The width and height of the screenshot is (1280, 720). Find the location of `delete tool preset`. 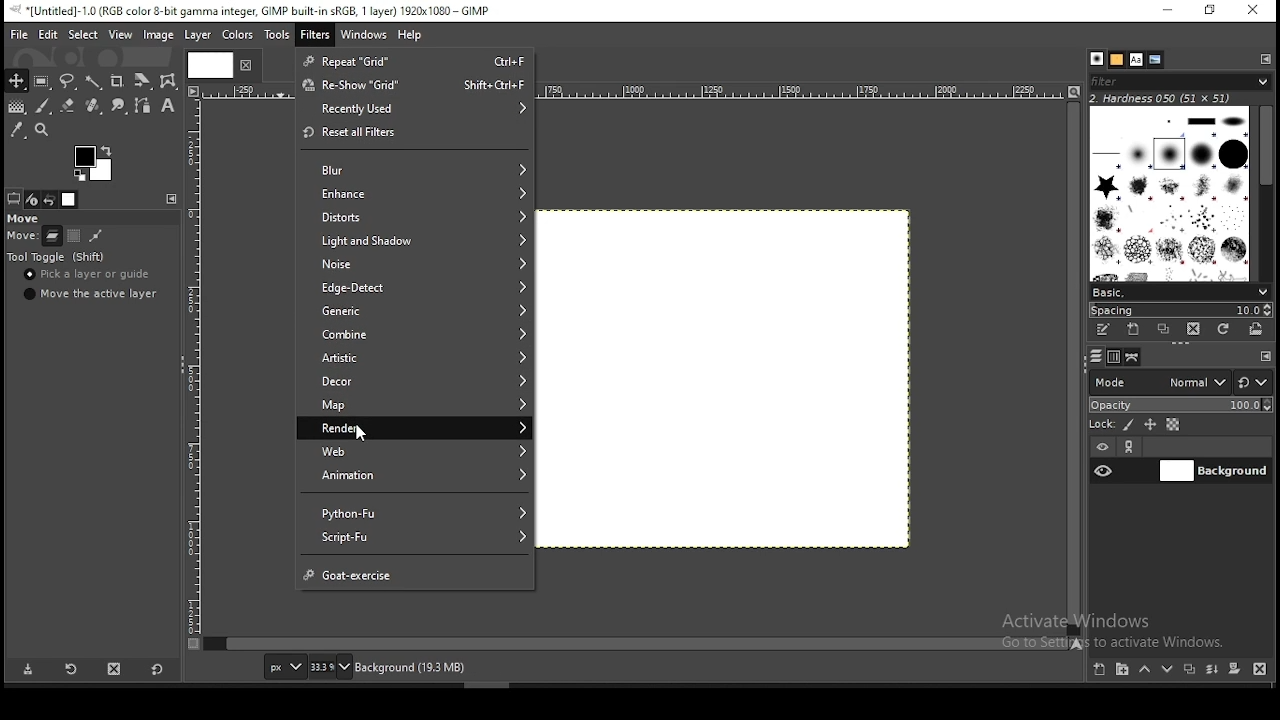

delete tool preset is located at coordinates (122, 671).